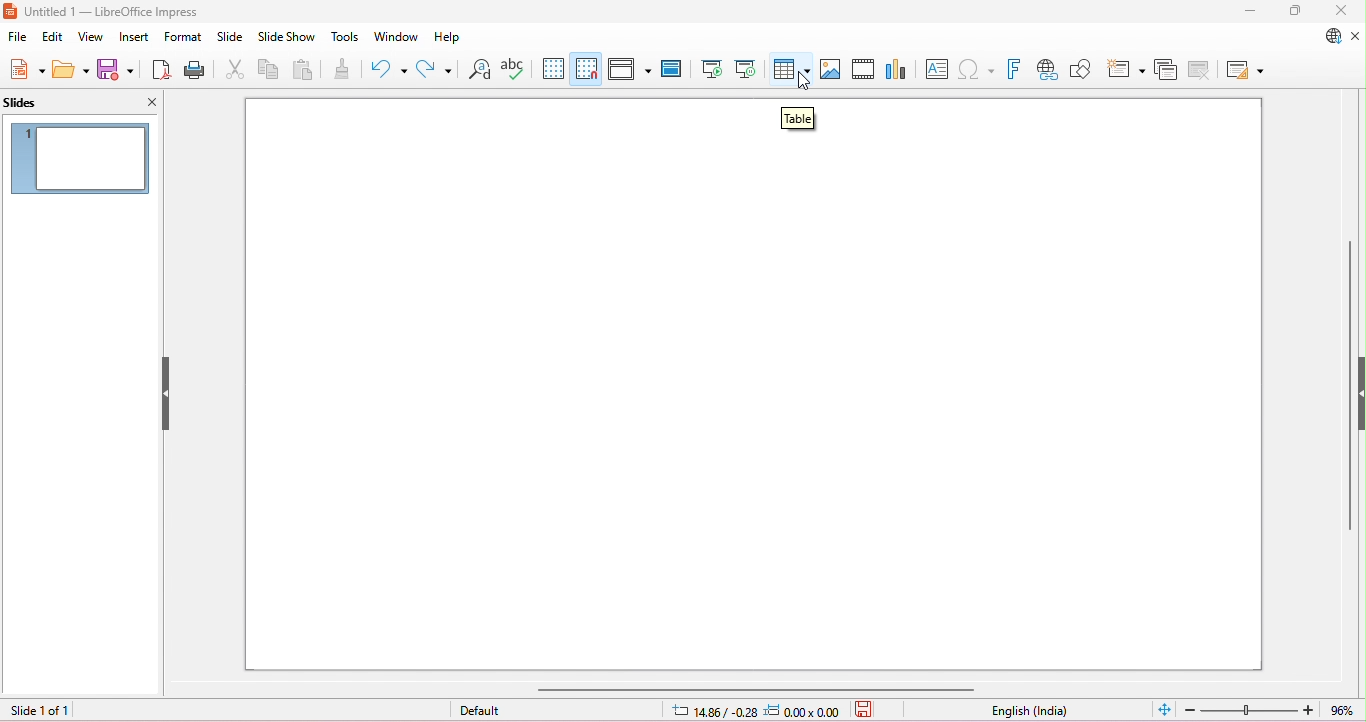 This screenshot has width=1366, height=722. Describe the element at coordinates (134, 37) in the screenshot. I see `insert` at that location.